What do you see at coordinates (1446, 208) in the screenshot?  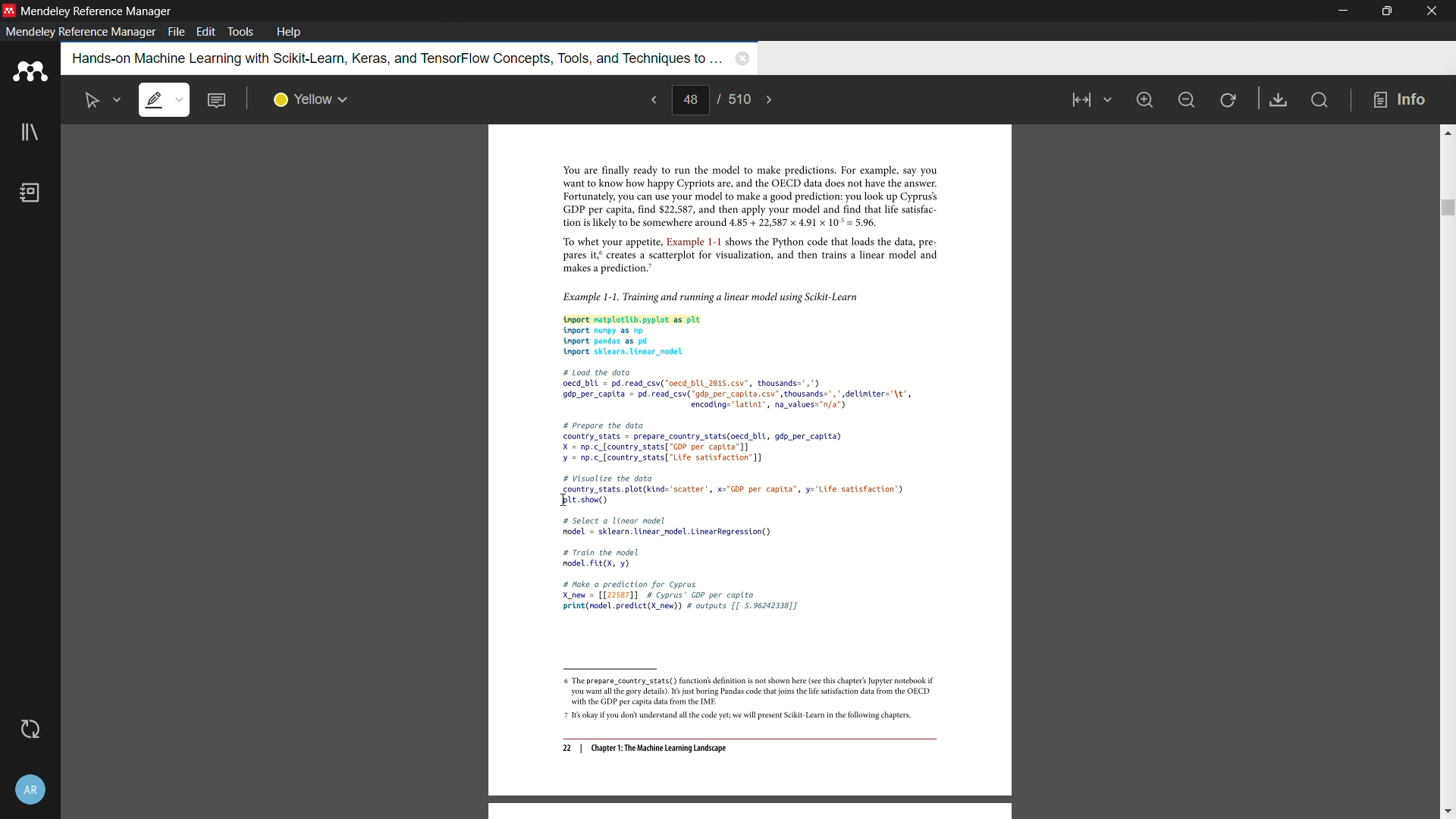 I see `scroll bar` at bounding box center [1446, 208].